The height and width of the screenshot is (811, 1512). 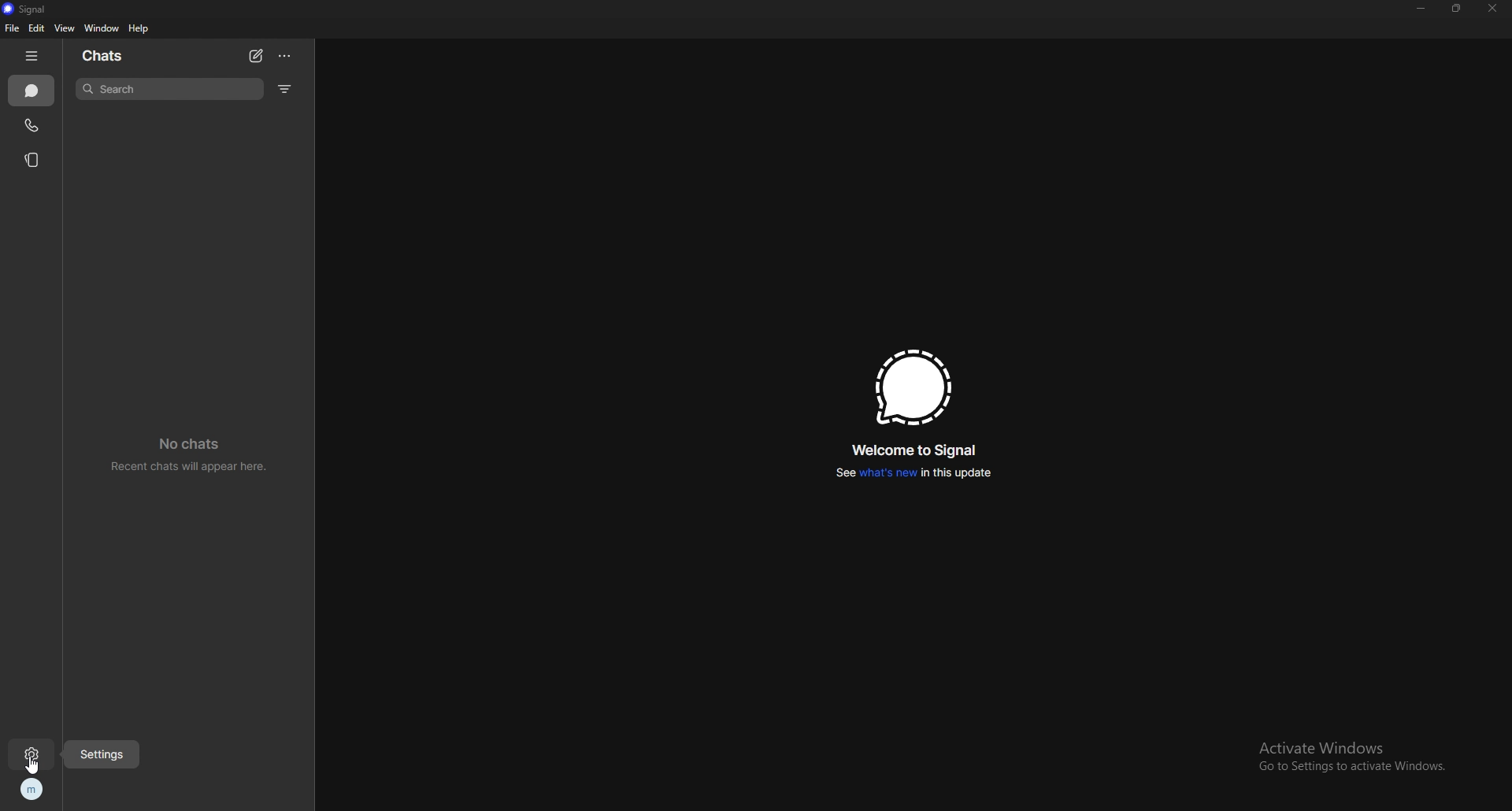 I want to click on resize, so click(x=1457, y=7).